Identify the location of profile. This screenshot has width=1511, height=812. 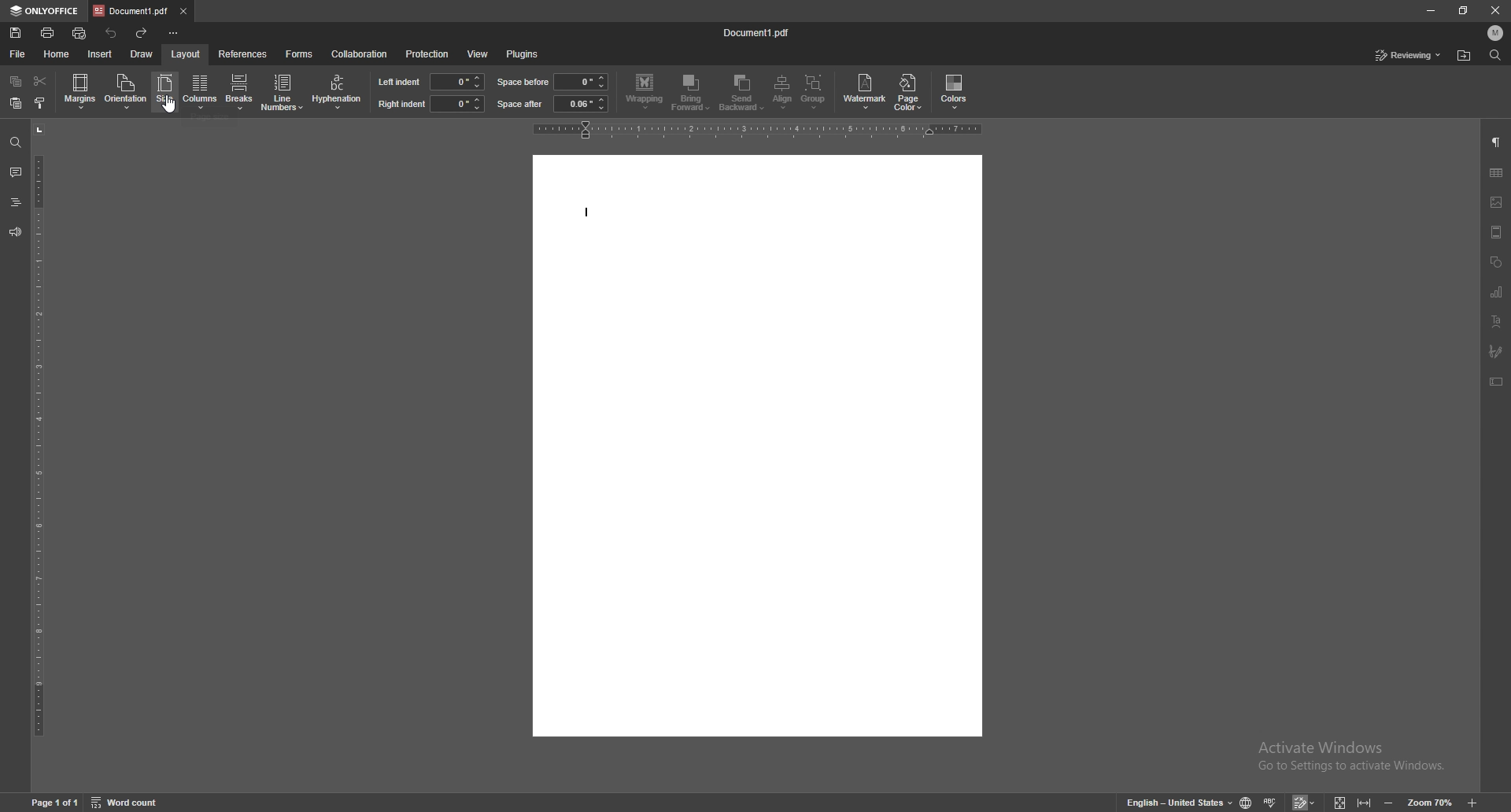
(1497, 32).